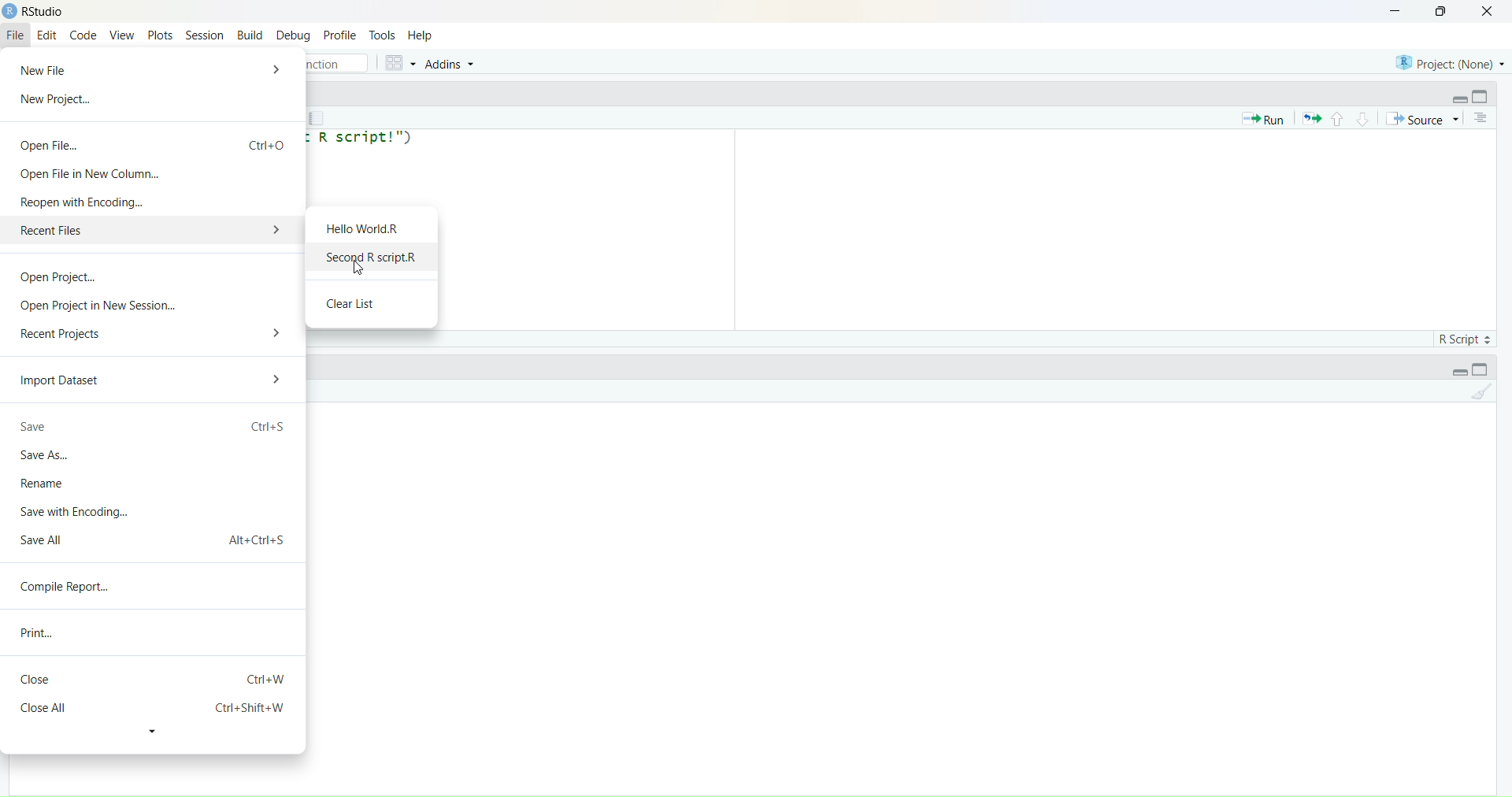  Describe the element at coordinates (74, 510) in the screenshot. I see `Save with Encoding..` at that location.